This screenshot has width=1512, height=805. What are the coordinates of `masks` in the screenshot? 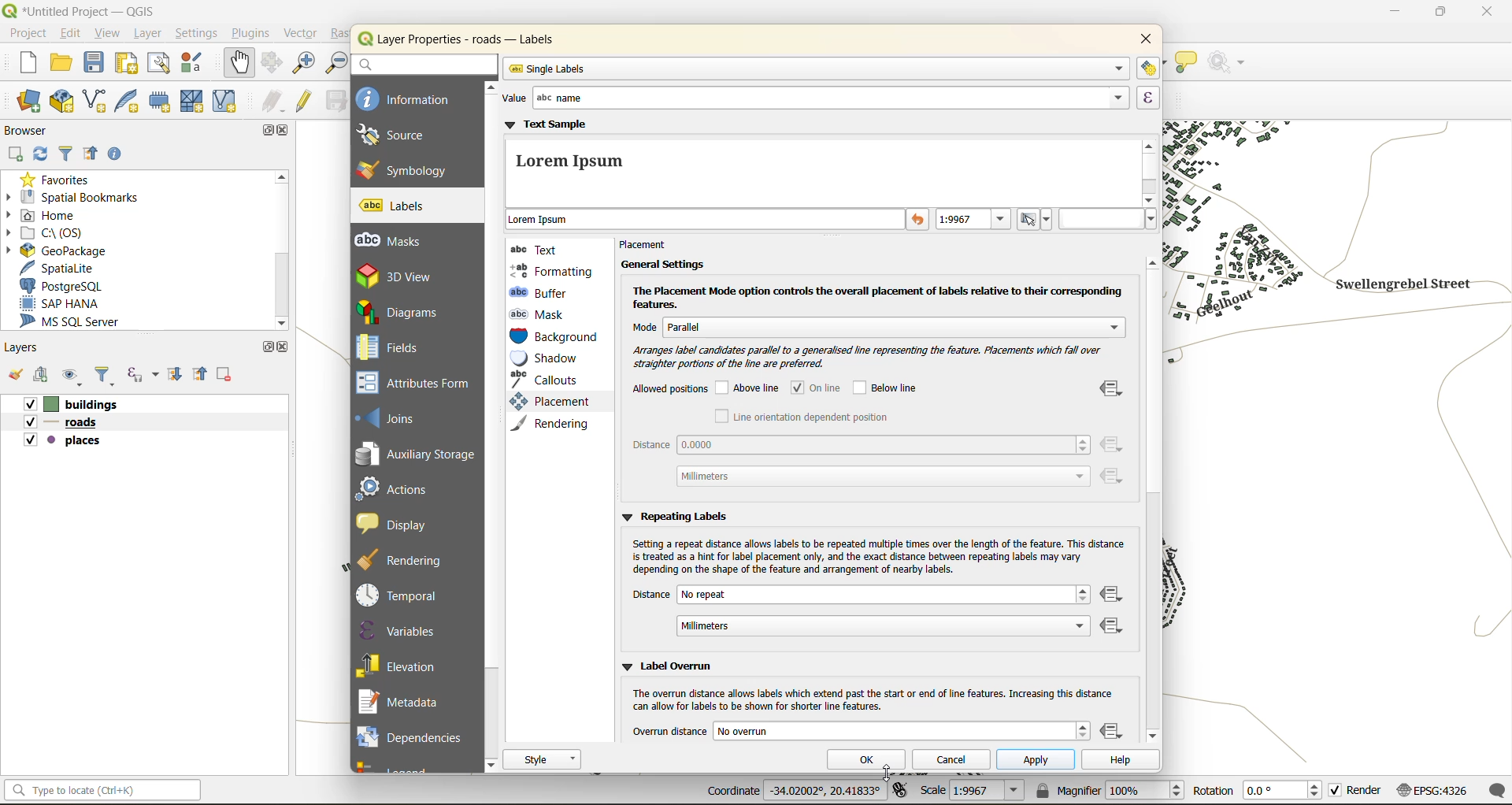 It's located at (397, 241).